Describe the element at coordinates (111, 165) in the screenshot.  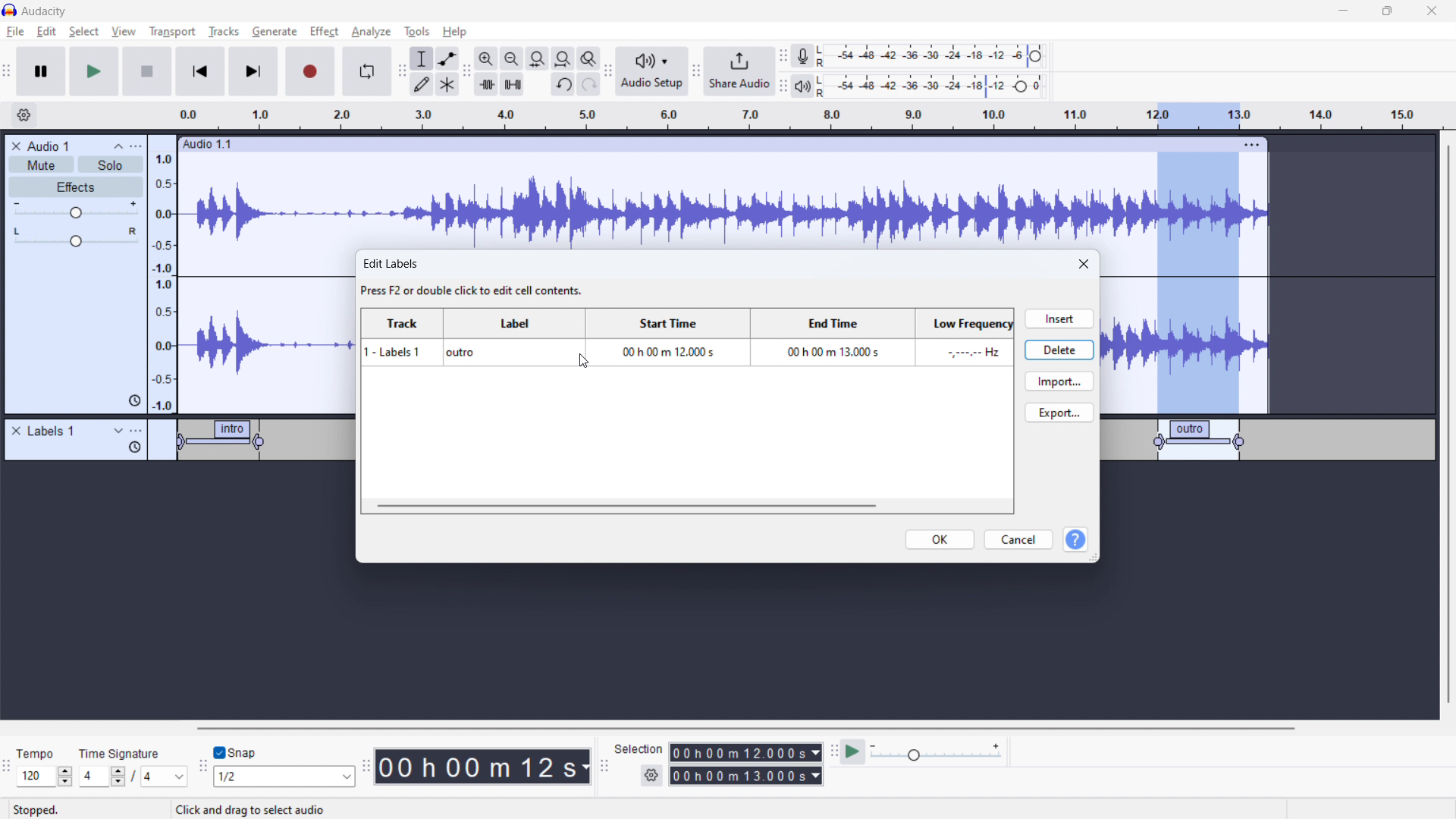
I see `solo` at that location.